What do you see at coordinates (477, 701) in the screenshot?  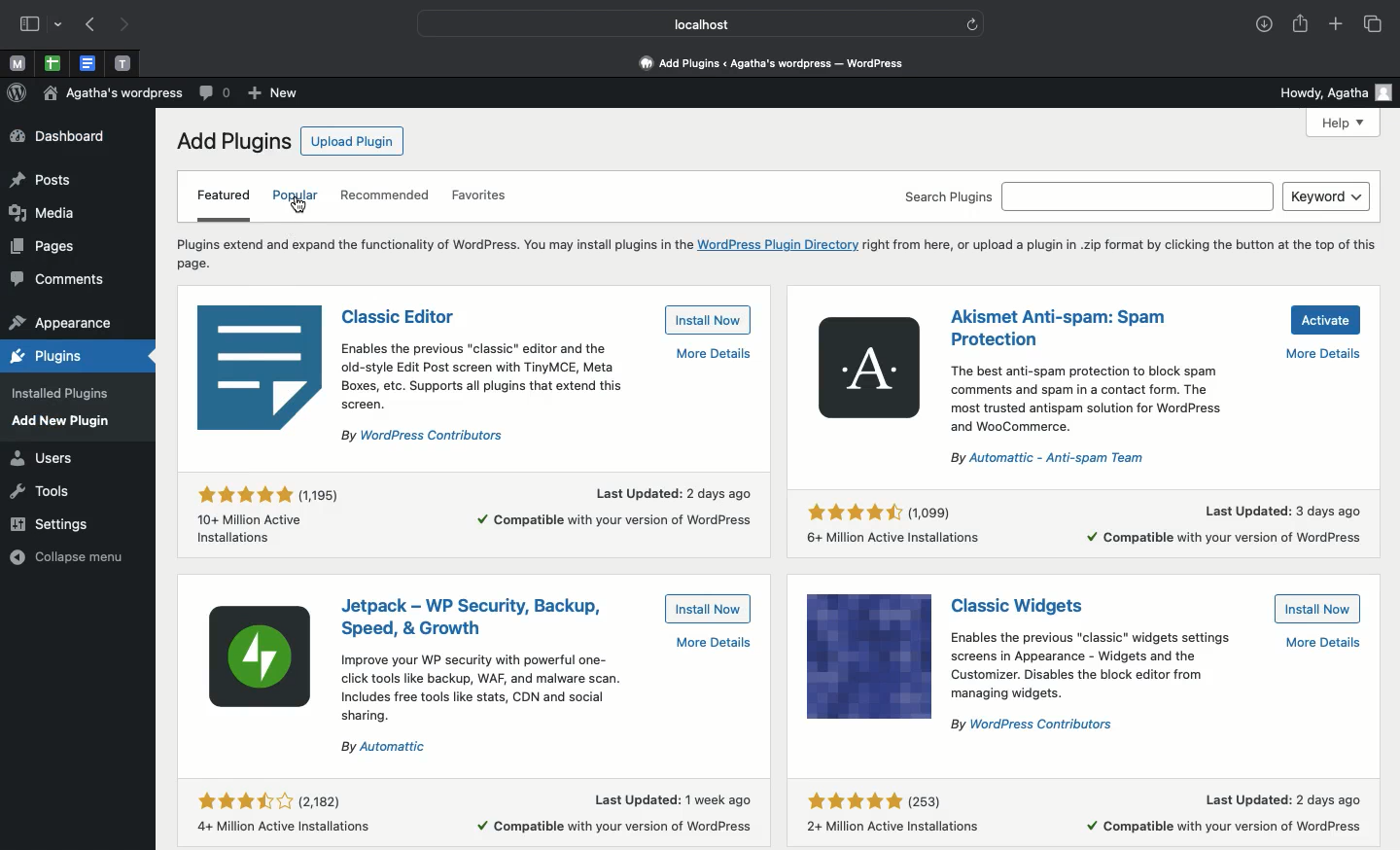 I see `Instructional text` at bounding box center [477, 701].